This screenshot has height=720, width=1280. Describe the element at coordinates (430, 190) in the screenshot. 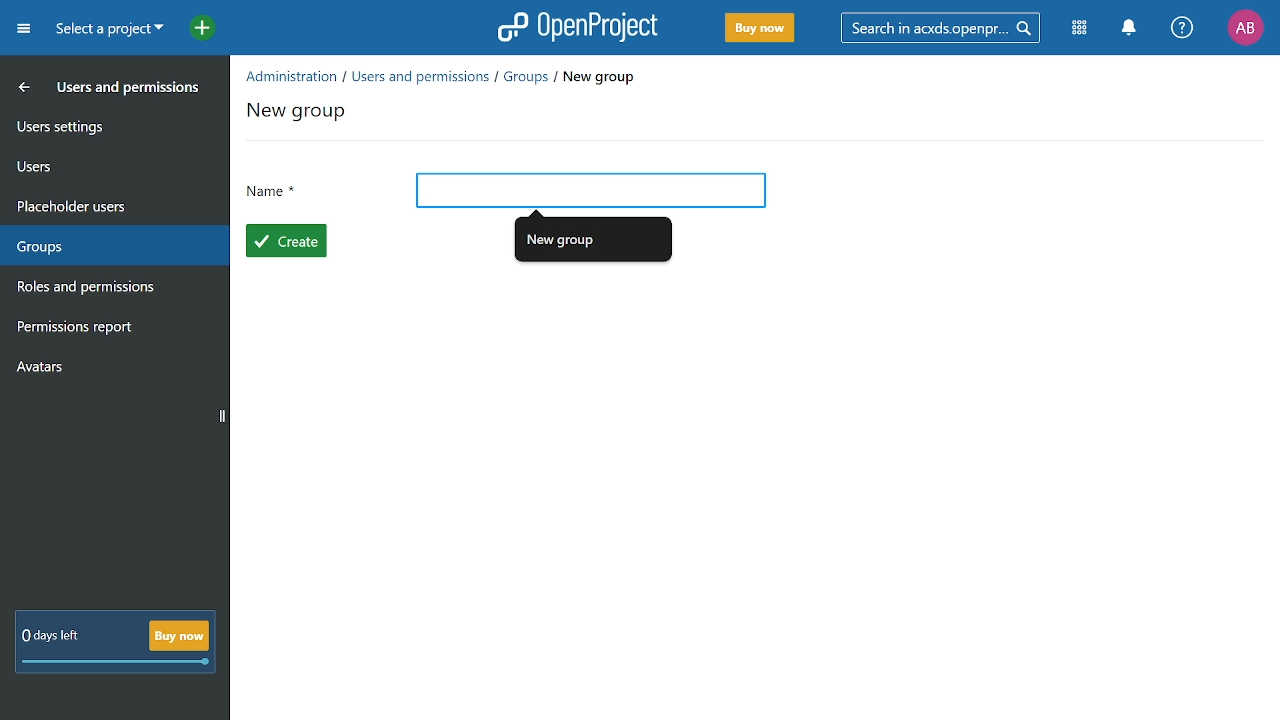

I see `Cursor` at that location.